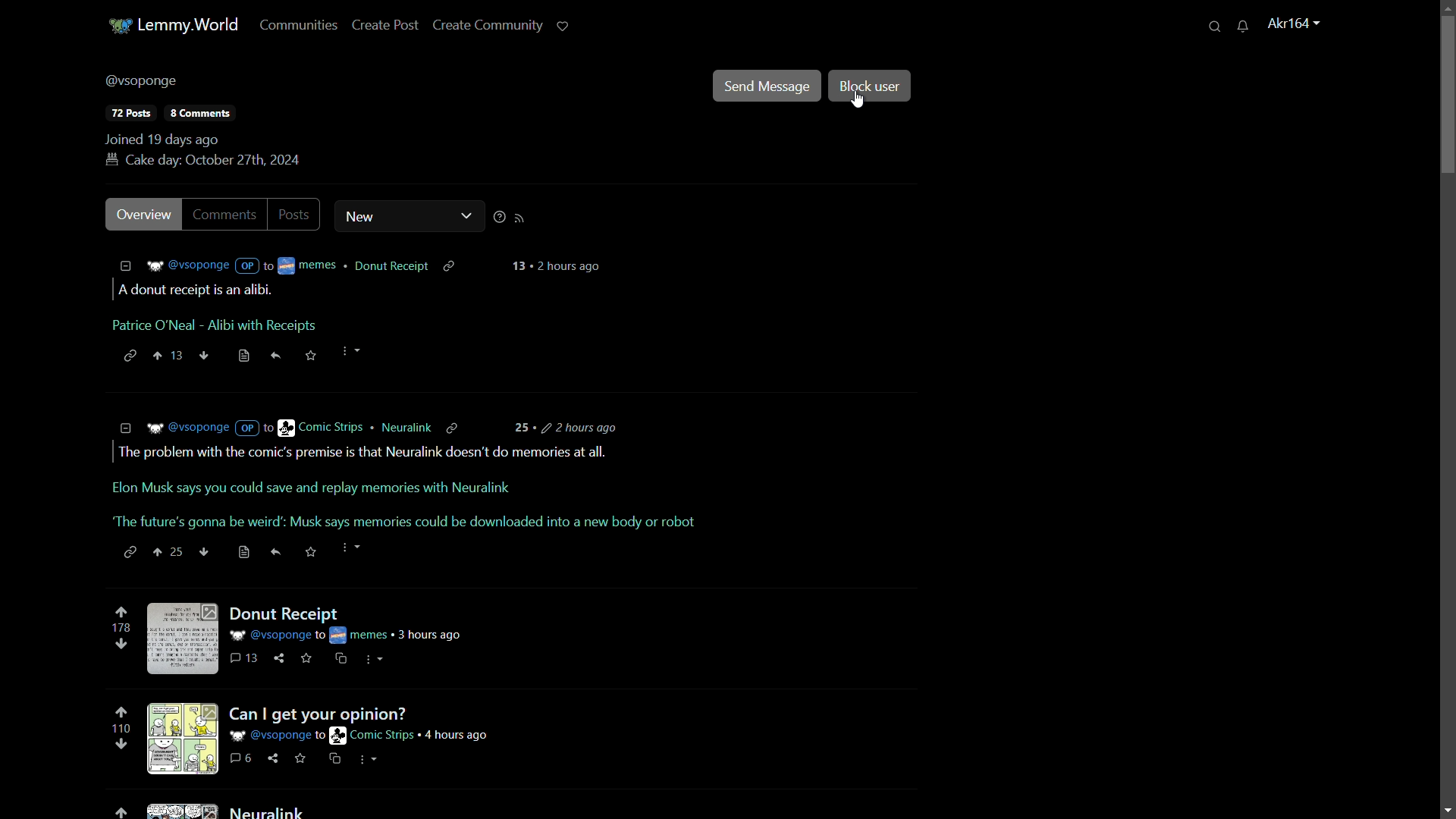 Image resolution: width=1456 pixels, height=819 pixels. I want to click on more, so click(355, 353).